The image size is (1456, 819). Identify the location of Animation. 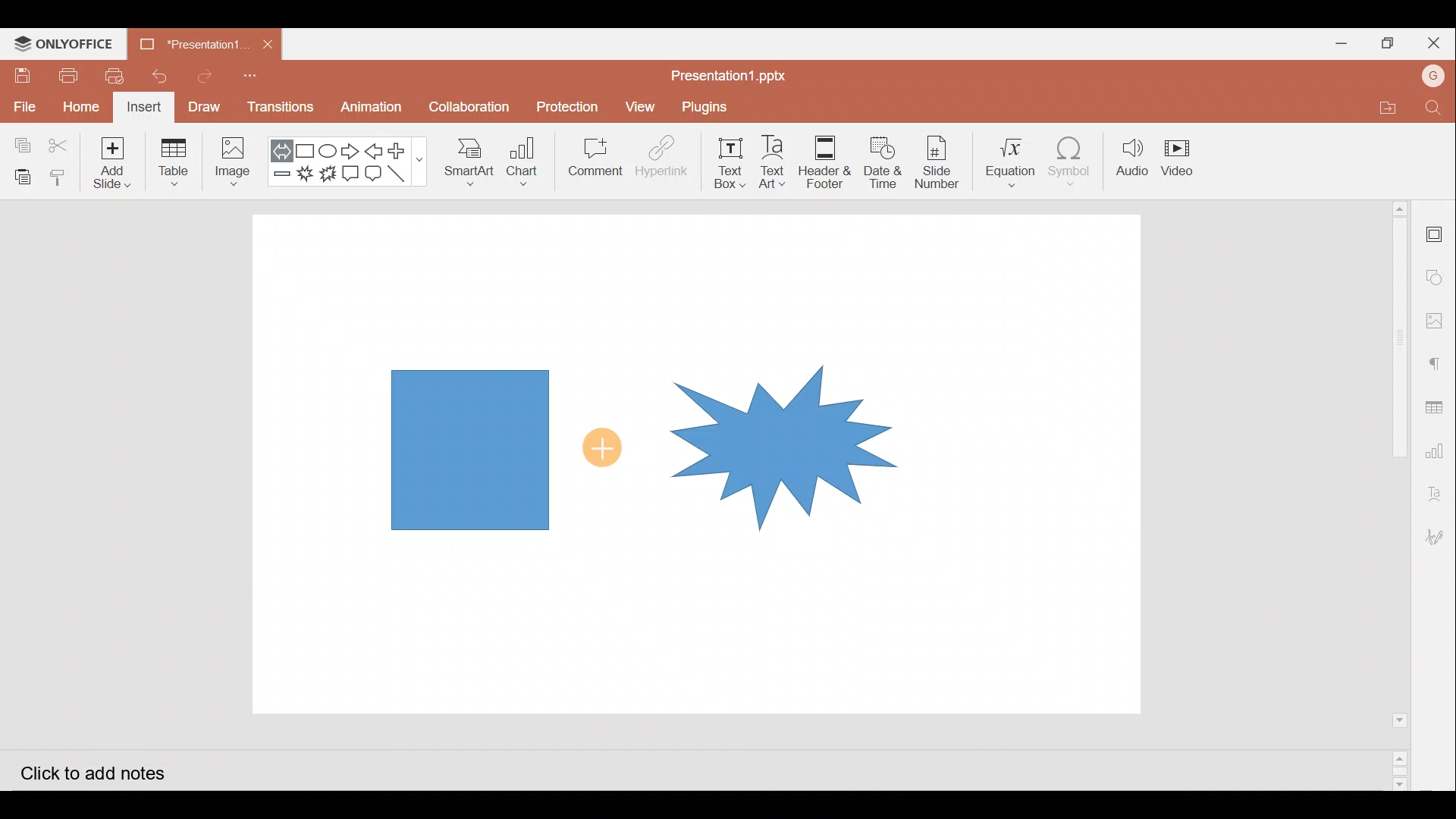
(372, 108).